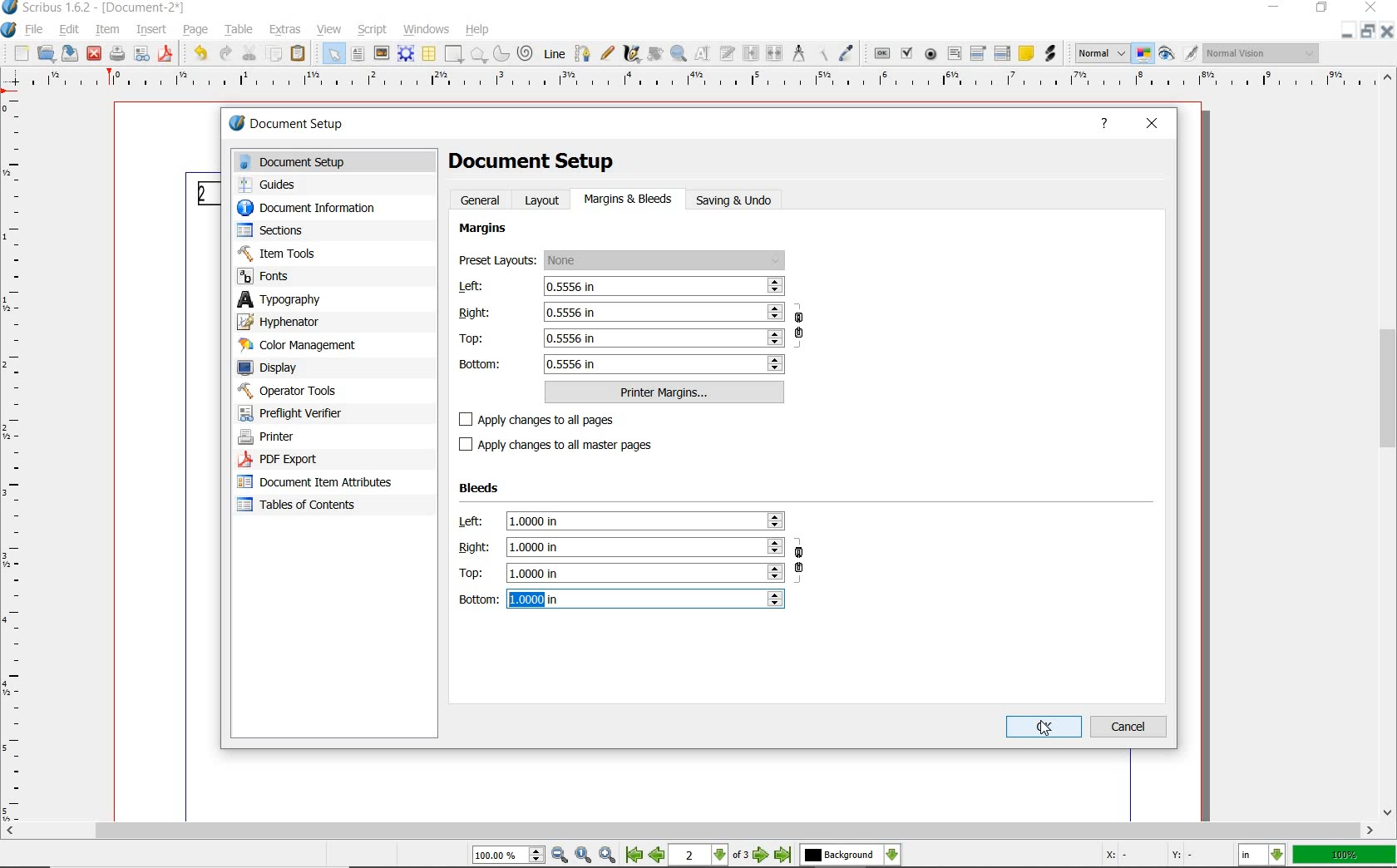 The height and width of the screenshot is (868, 1397). What do you see at coordinates (374, 29) in the screenshot?
I see `script` at bounding box center [374, 29].